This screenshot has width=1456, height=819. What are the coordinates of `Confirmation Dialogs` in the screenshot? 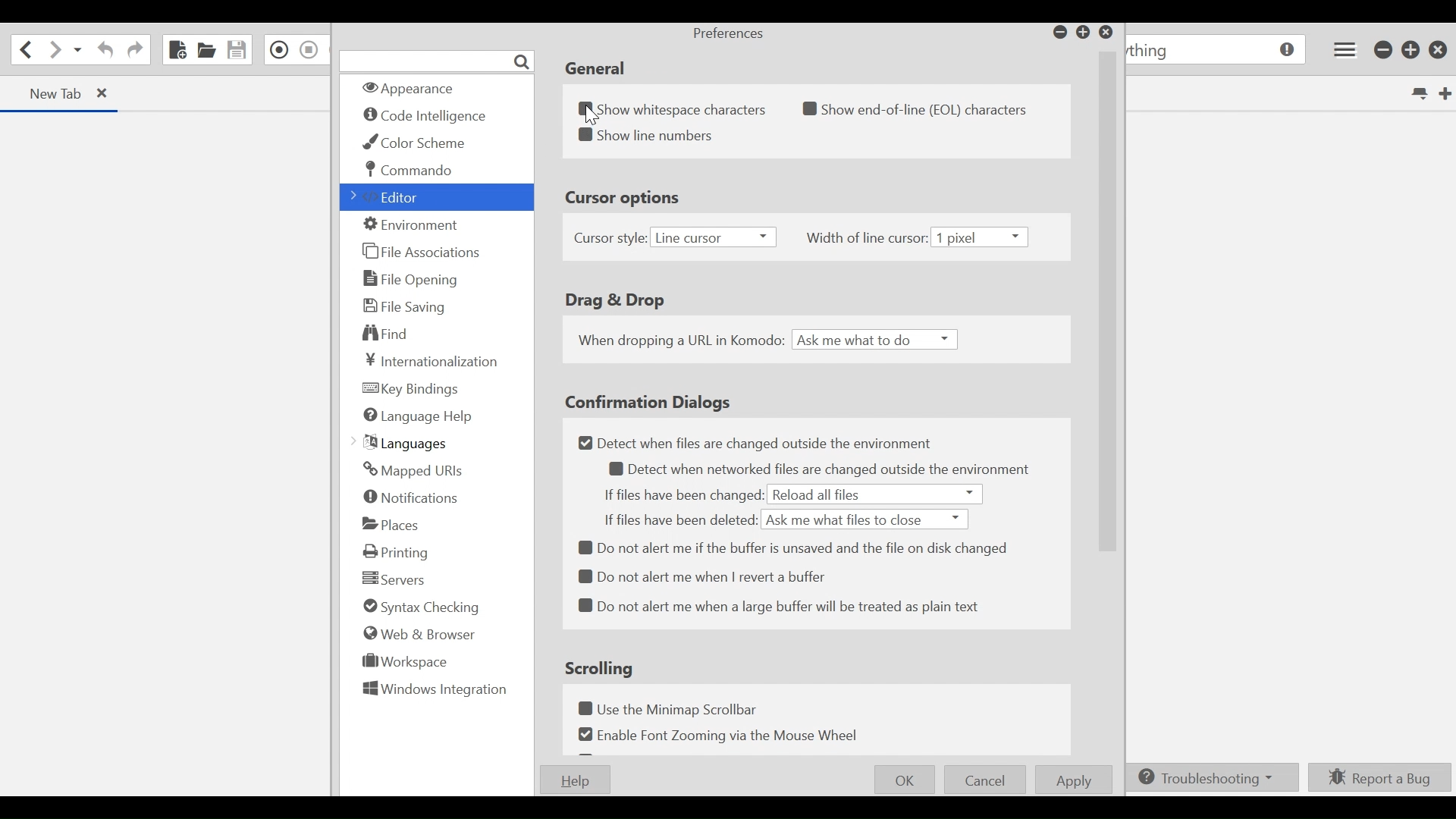 It's located at (660, 401).